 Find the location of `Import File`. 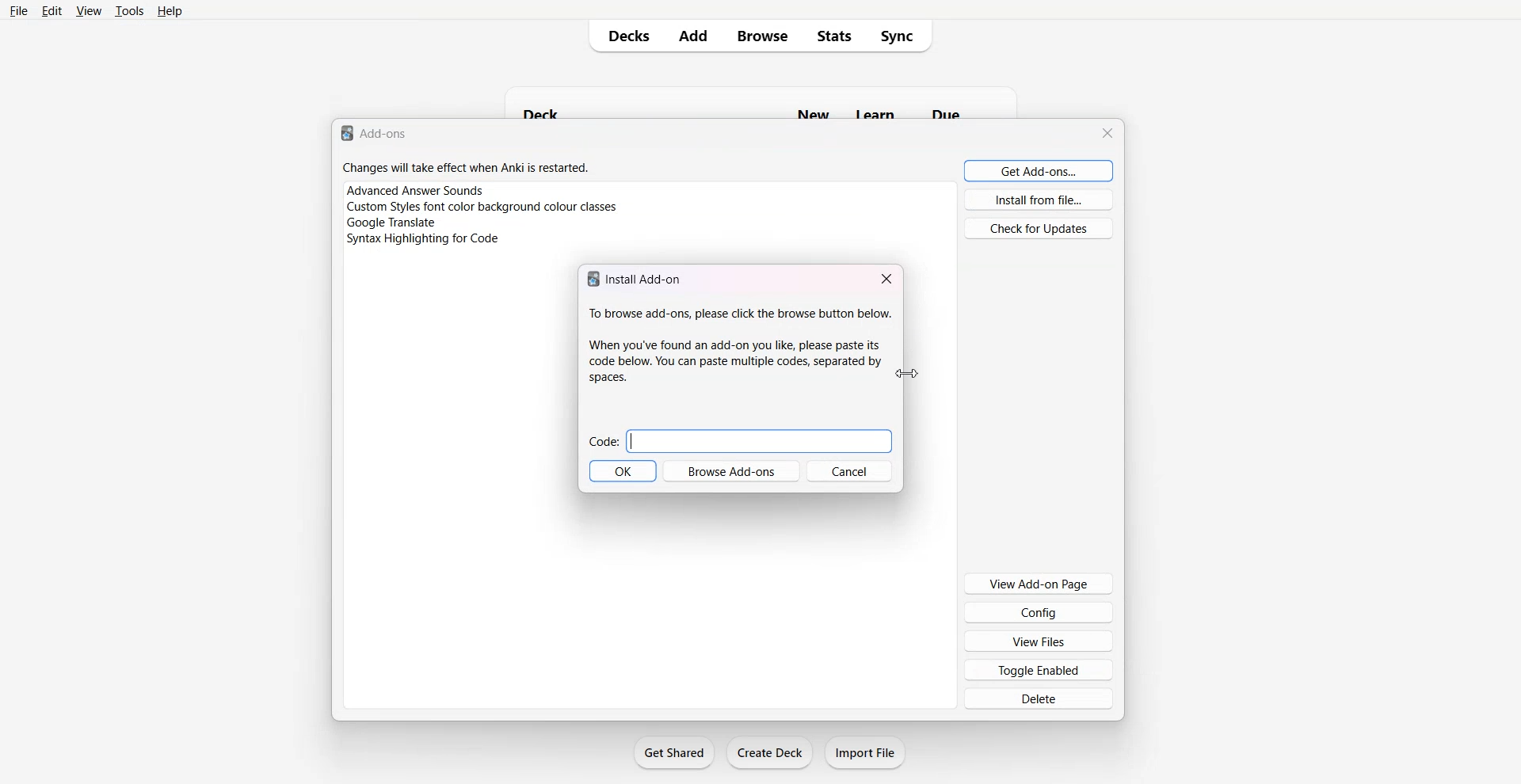

Import File is located at coordinates (867, 752).